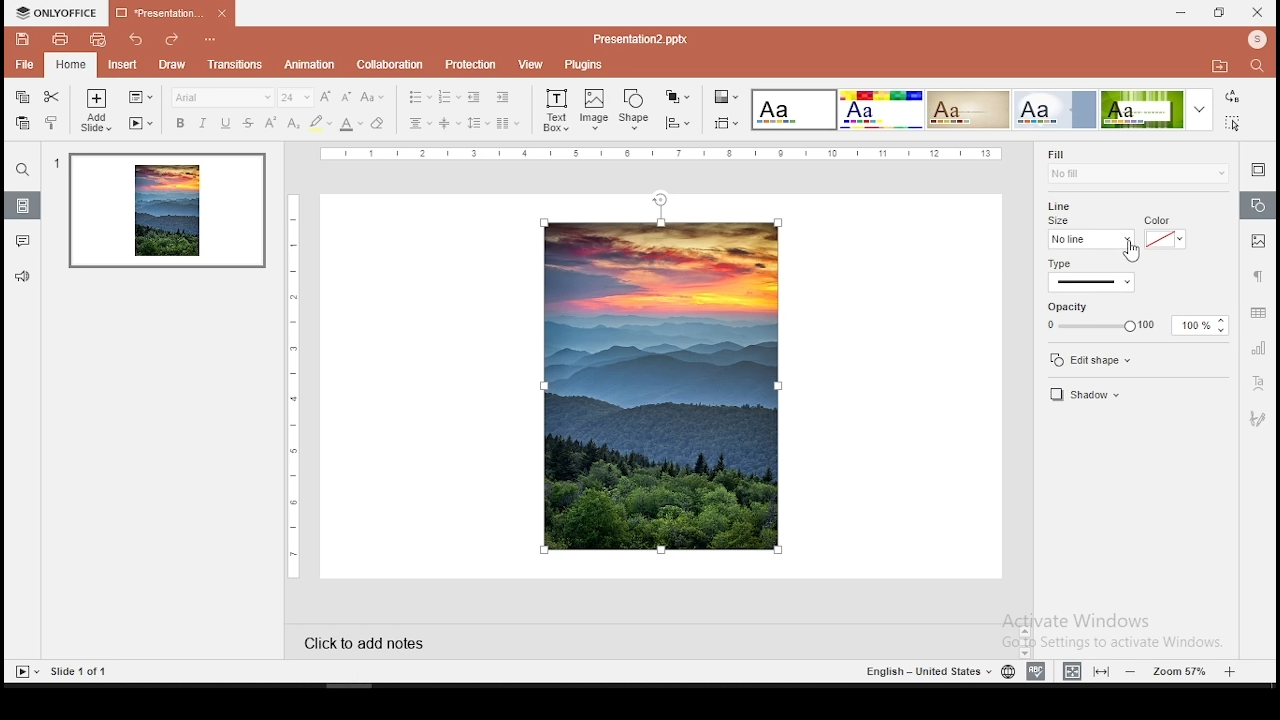 This screenshot has height=720, width=1280. What do you see at coordinates (923, 671) in the screenshot?
I see `english - united states` at bounding box center [923, 671].